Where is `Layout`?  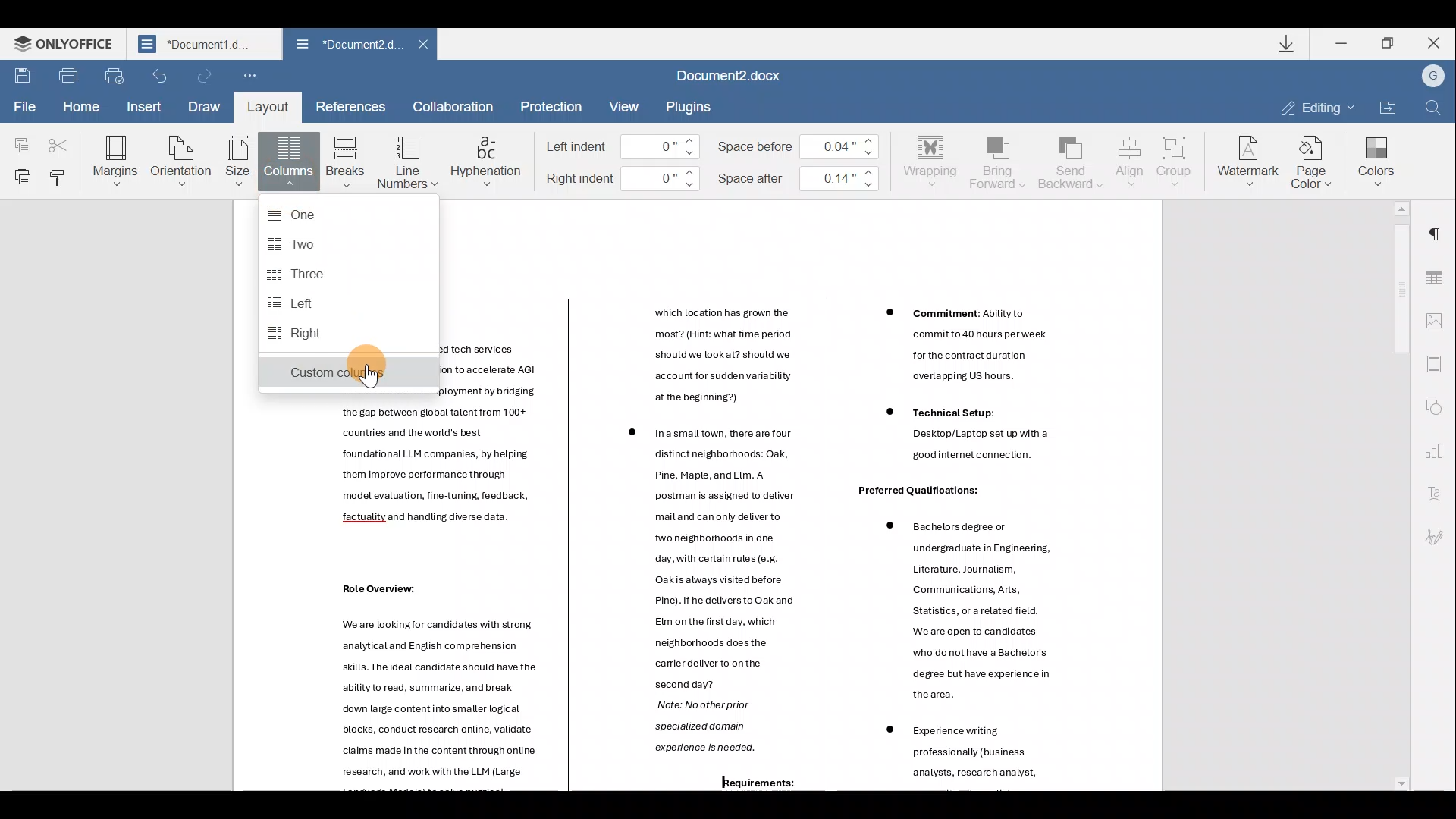 Layout is located at coordinates (267, 106).